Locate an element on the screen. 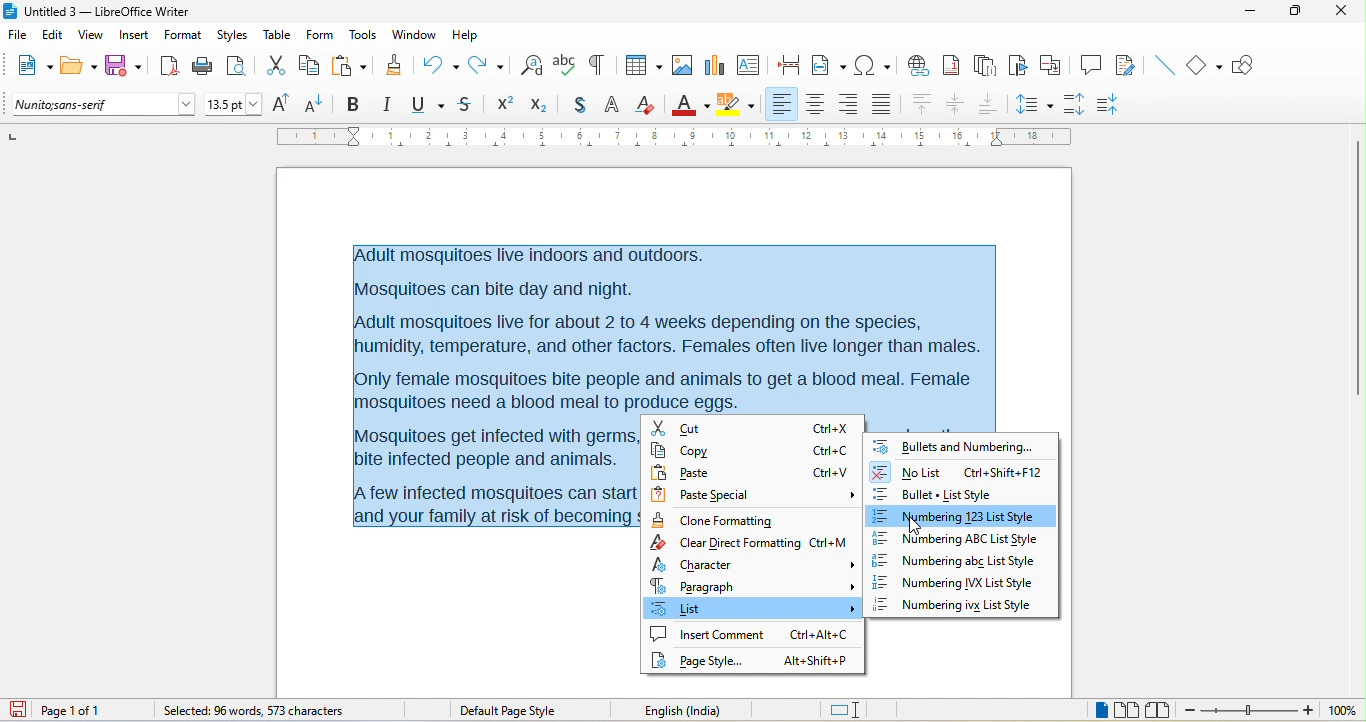 Image resolution: width=1366 pixels, height=722 pixels. new is located at coordinates (32, 64).